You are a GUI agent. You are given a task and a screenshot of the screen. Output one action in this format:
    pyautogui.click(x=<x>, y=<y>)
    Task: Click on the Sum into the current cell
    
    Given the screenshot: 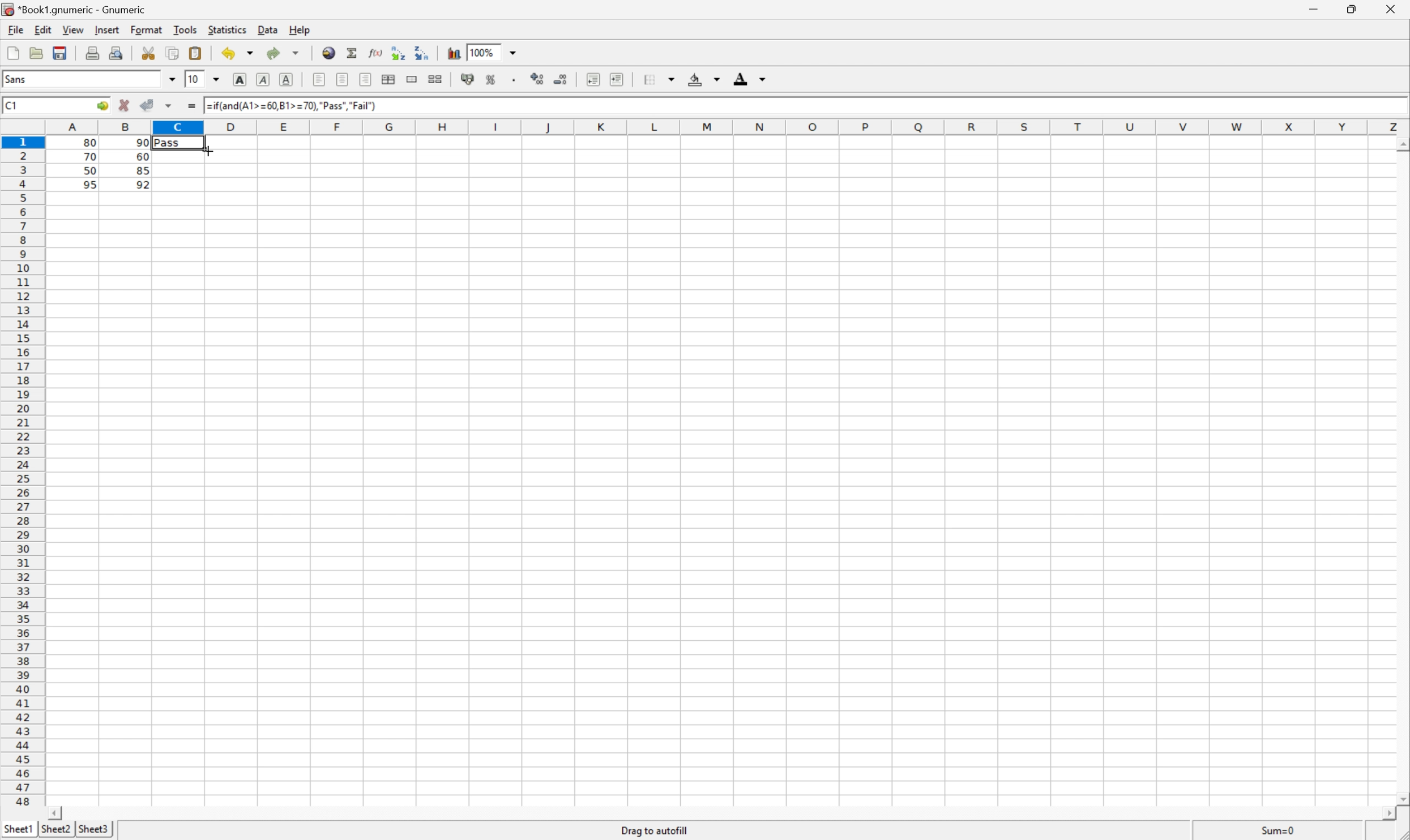 What is the action you would take?
    pyautogui.click(x=352, y=52)
    